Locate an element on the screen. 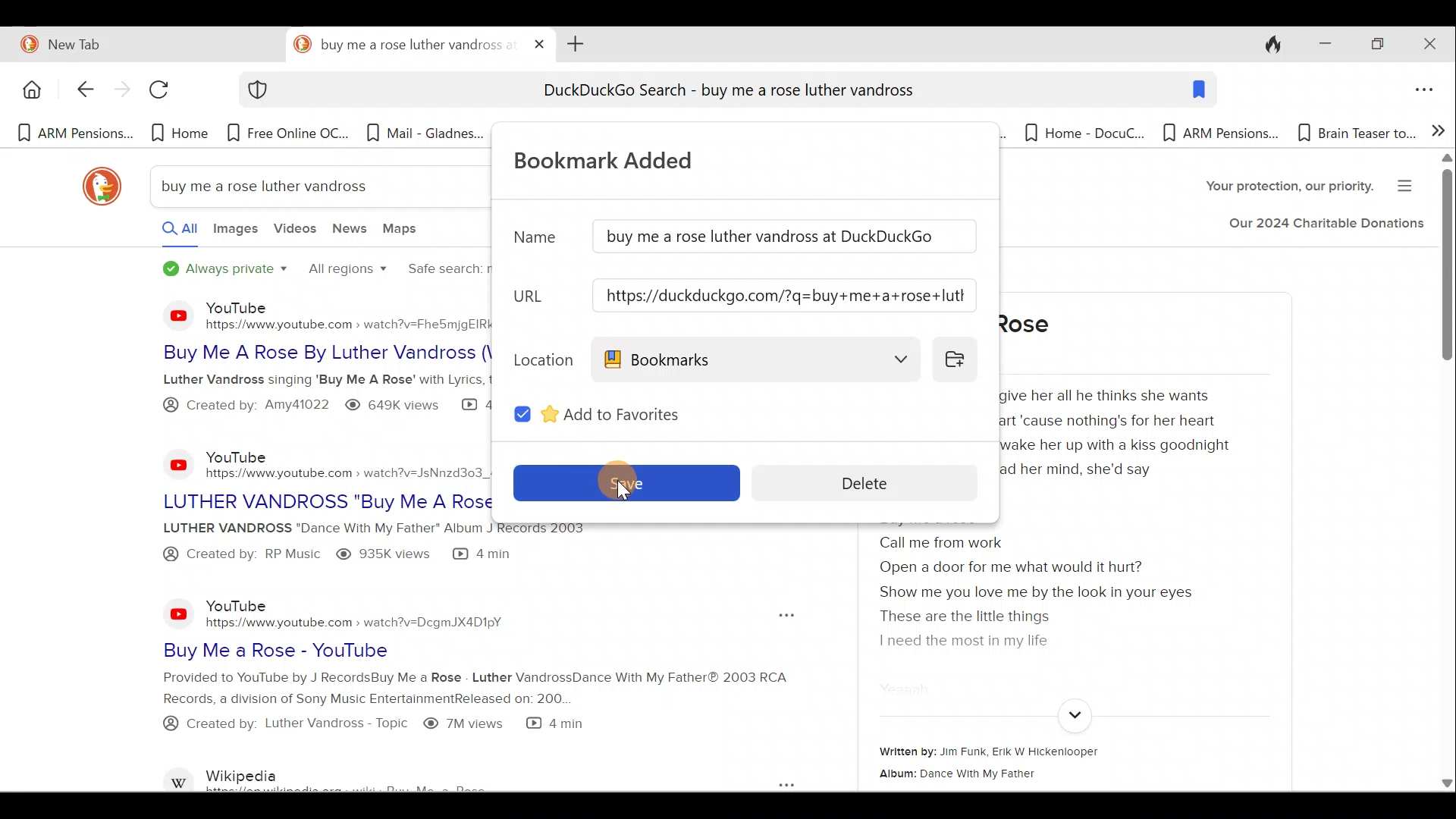  Safe search: moderate is located at coordinates (442, 271).